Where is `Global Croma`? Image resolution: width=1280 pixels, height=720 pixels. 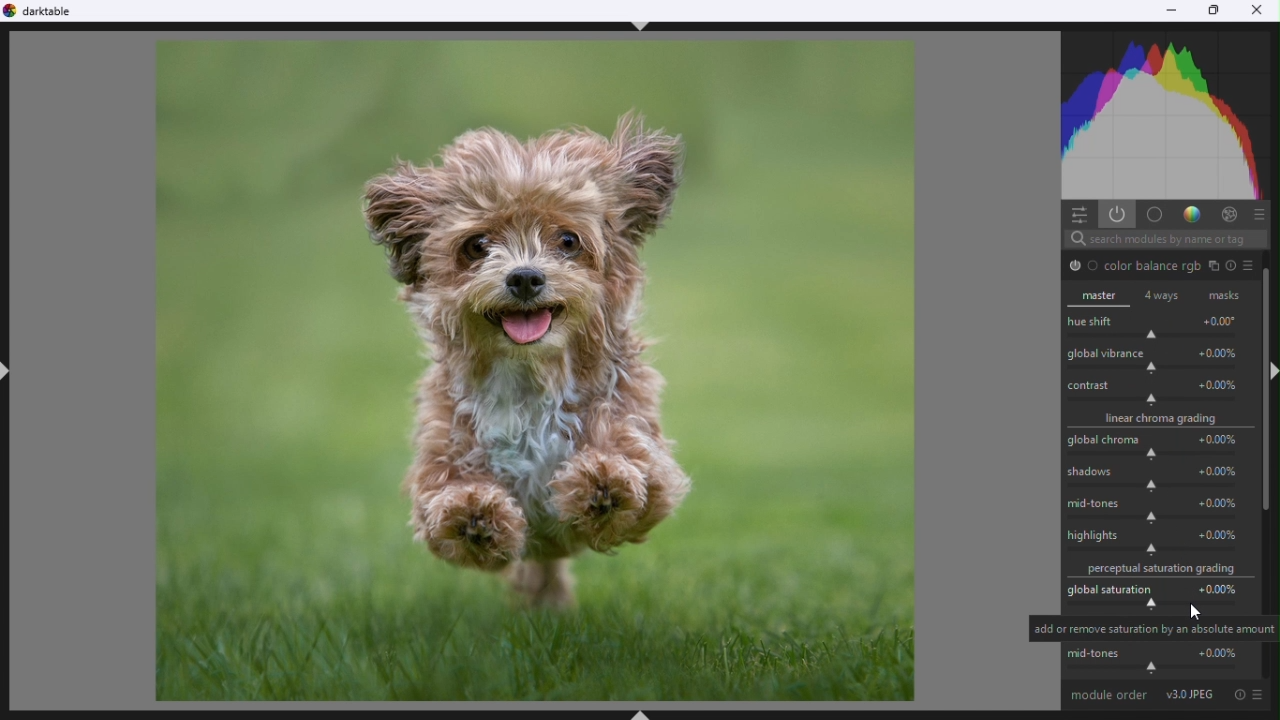 Global Croma is located at coordinates (1159, 447).